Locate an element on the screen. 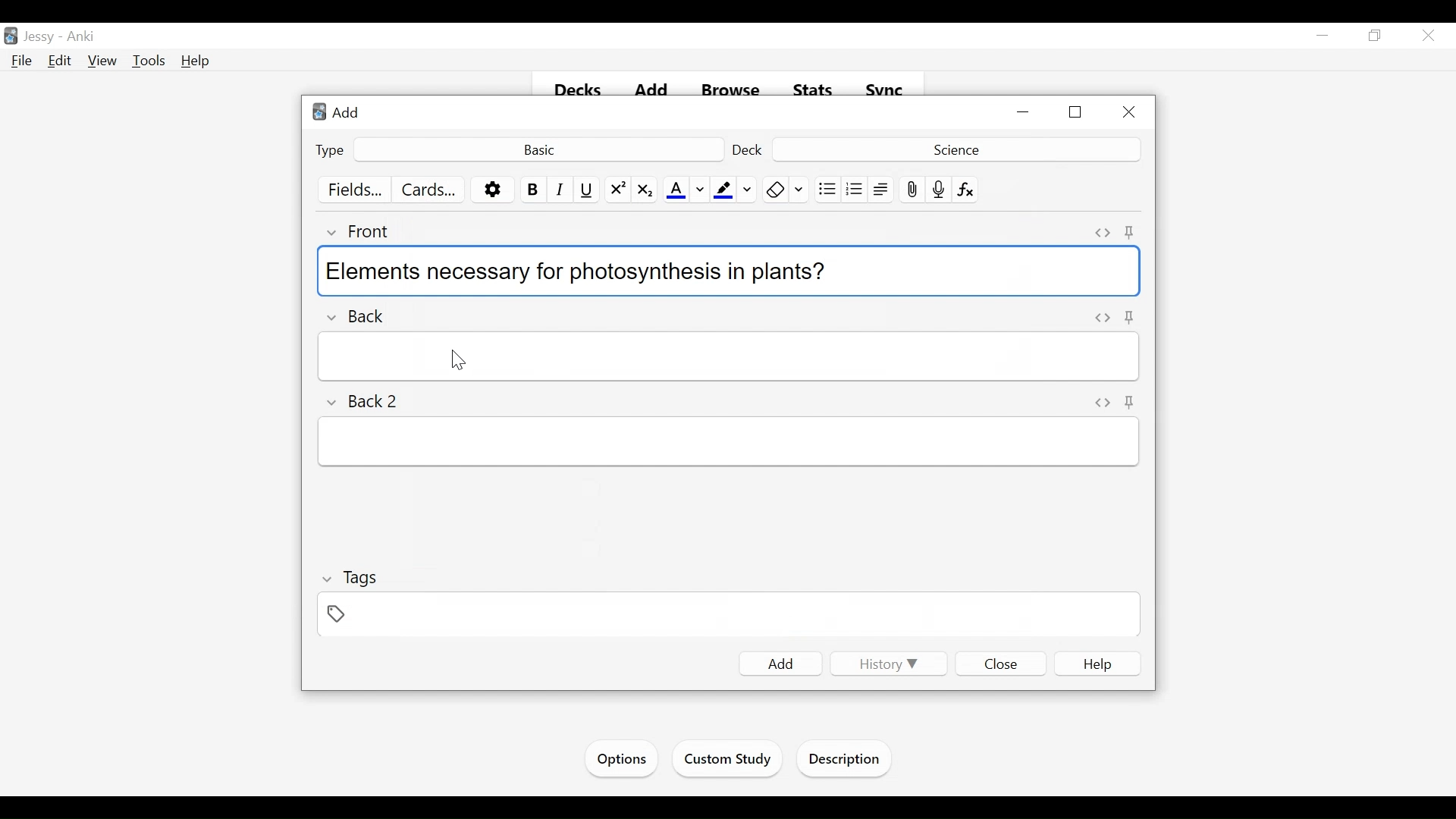  Add is located at coordinates (340, 111).